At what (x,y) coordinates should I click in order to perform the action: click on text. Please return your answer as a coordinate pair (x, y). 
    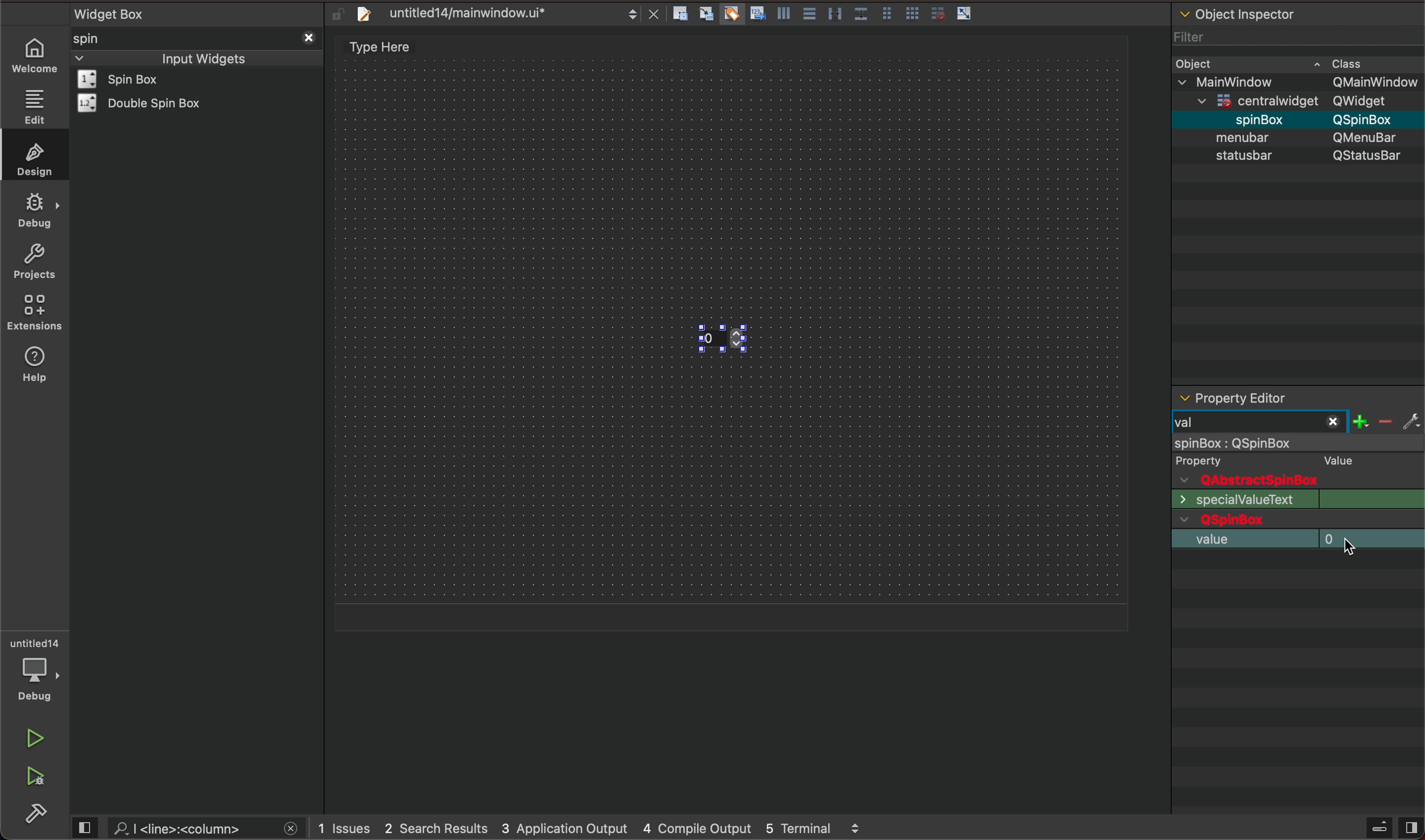
    Looking at the image, I should click on (1238, 500).